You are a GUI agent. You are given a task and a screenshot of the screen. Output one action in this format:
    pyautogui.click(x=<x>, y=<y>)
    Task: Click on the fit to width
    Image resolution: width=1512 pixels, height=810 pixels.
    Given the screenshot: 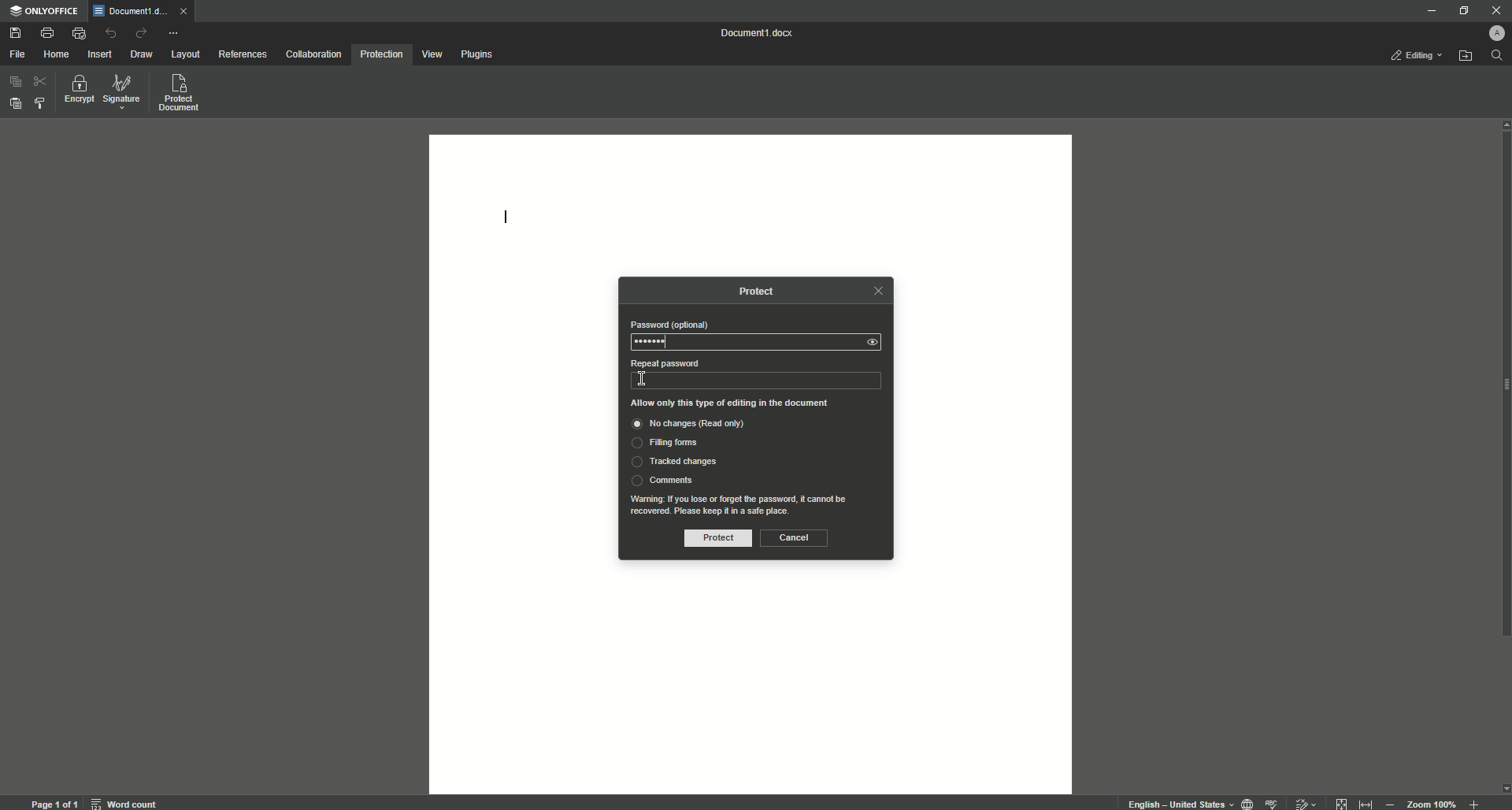 What is the action you would take?
    pyautogui.click(x=1364, y=803)
    